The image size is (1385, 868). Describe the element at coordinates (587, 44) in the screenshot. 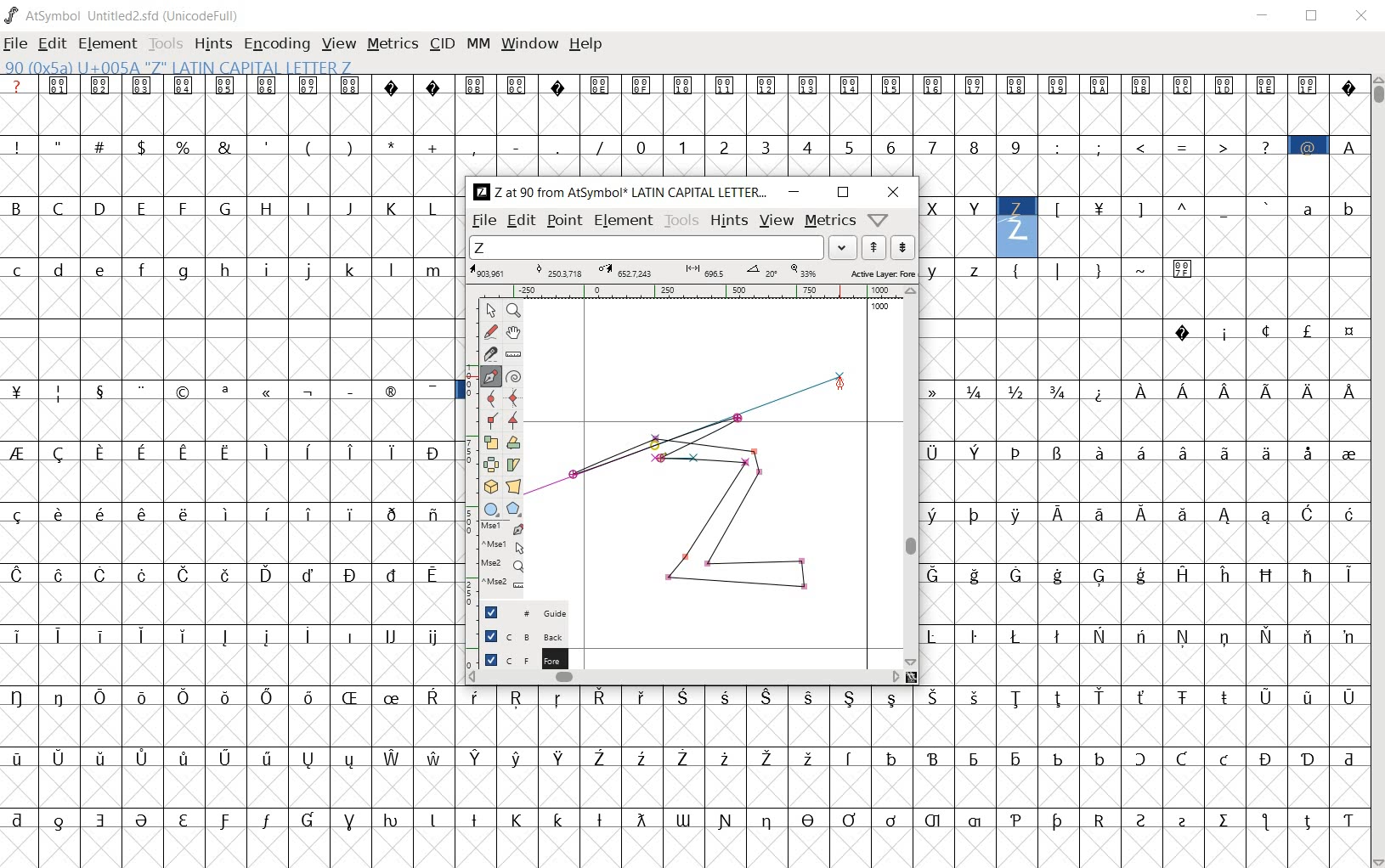

I see `help` at that location.